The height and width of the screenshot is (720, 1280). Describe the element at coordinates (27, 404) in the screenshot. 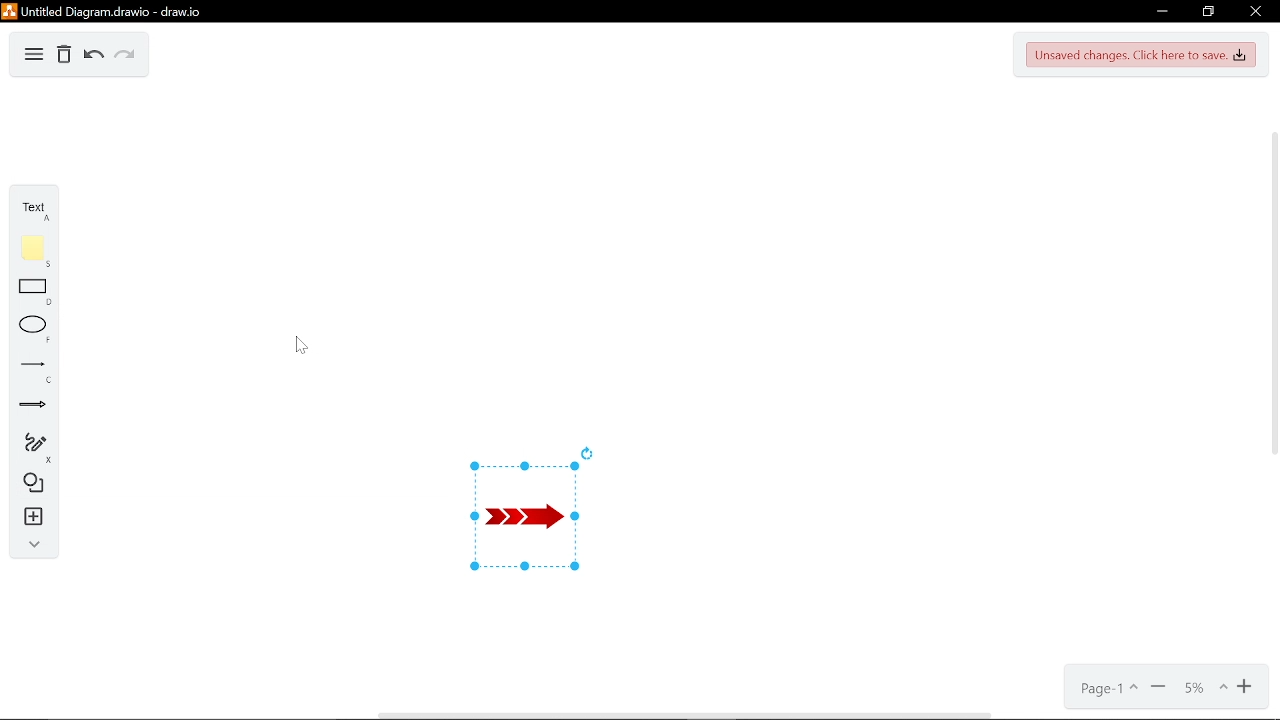

I see `Arrow` at that location.